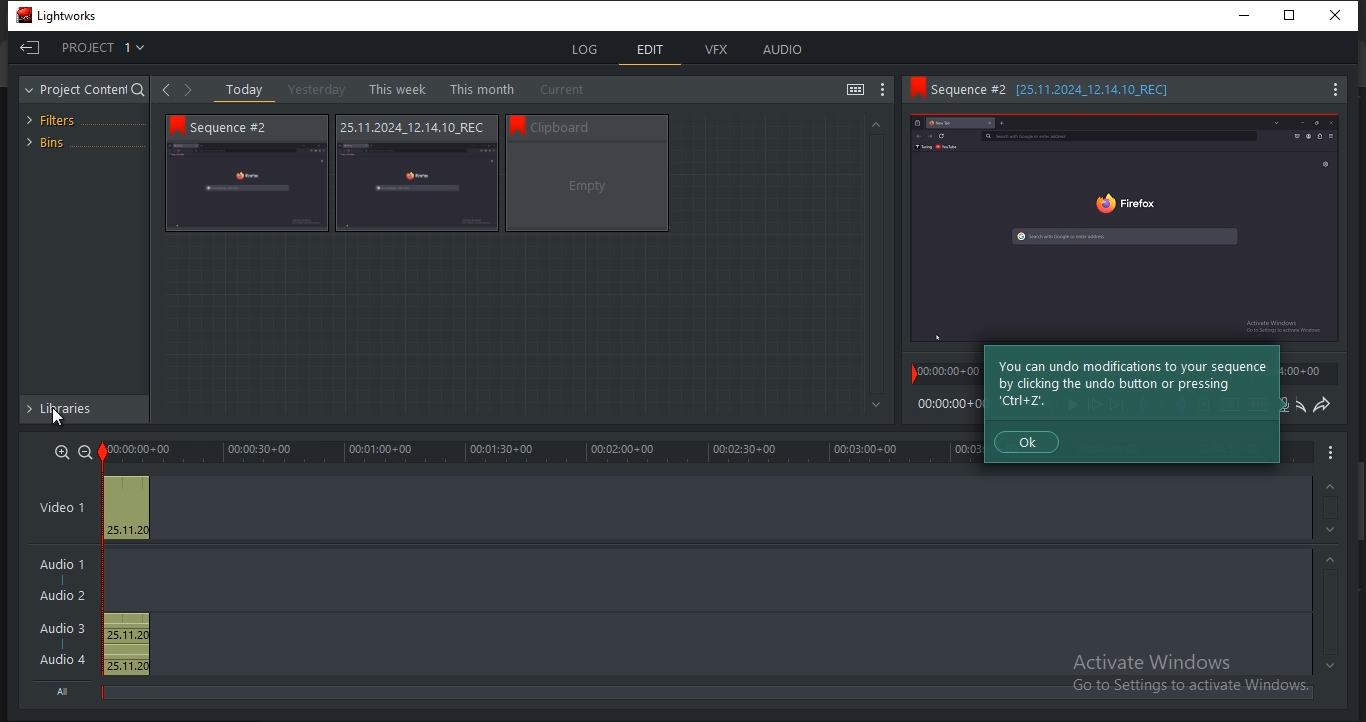  Describe the element at coordinates (1338, 665) in the screenshot. I see `timeline navigation up arrow` at that location.